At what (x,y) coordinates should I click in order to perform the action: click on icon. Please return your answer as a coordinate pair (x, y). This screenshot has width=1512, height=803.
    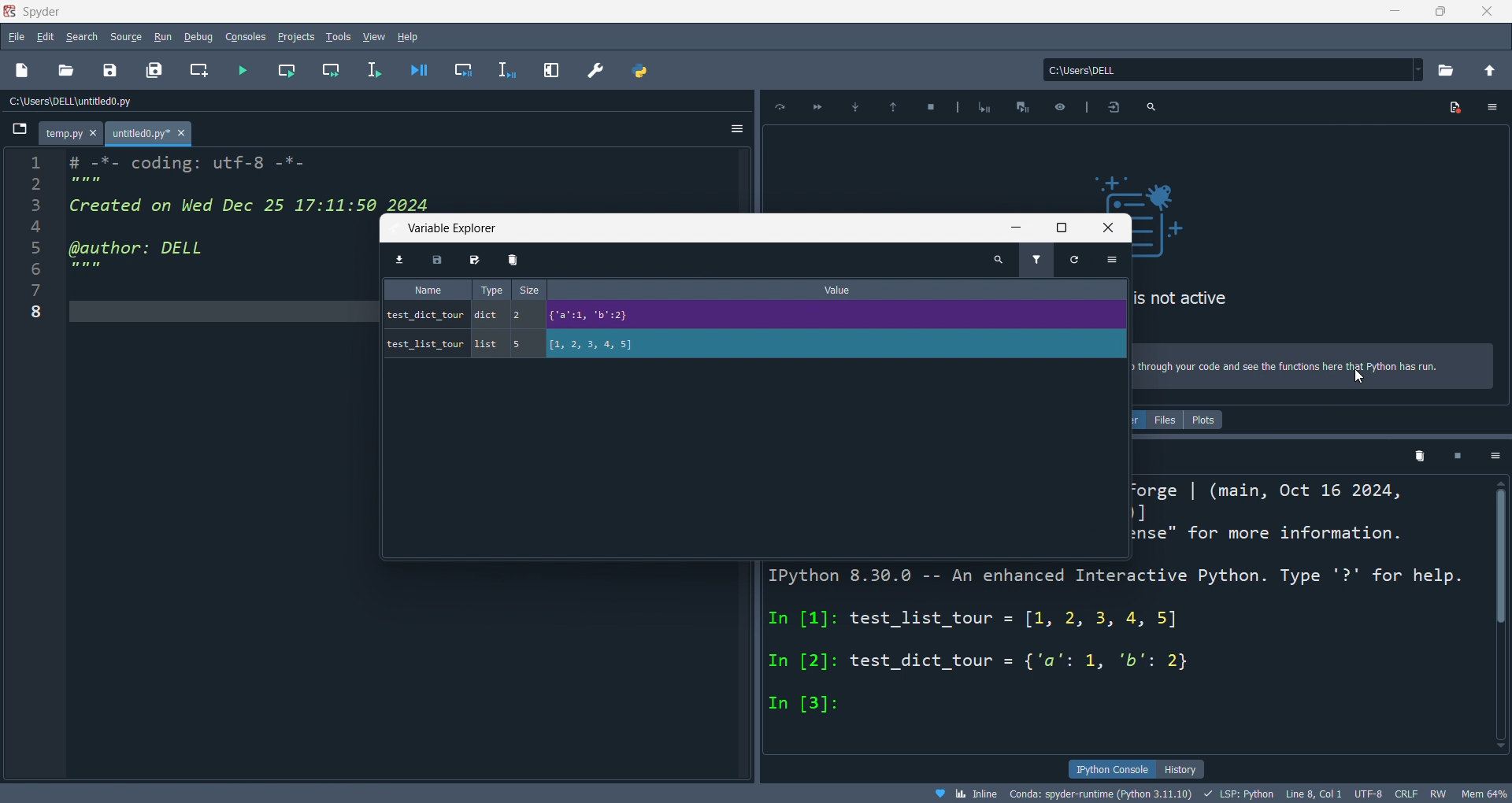
    Looking at the image, I should click on (1163, 217).